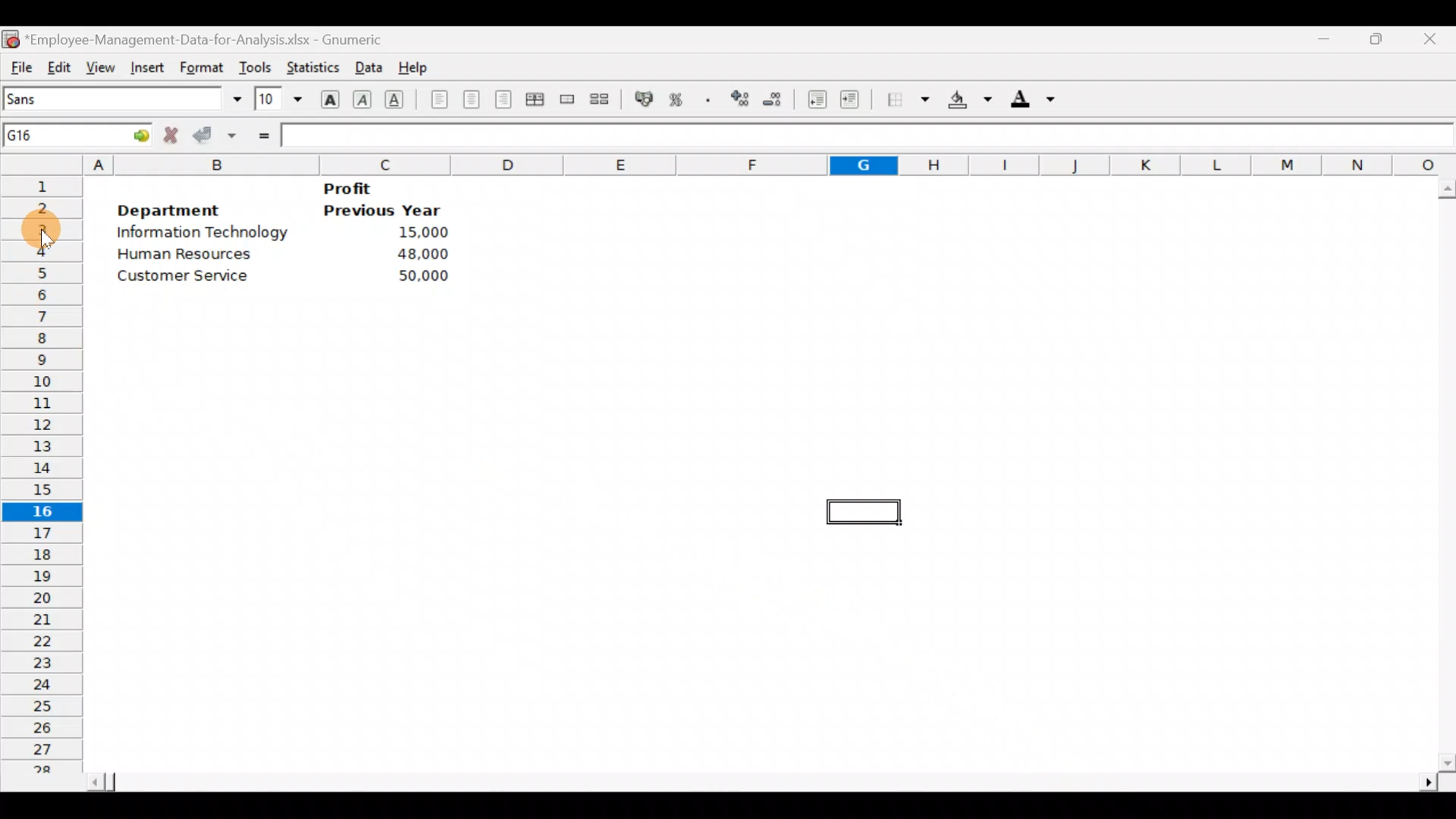 The width and height of the screenshot is (1456, 819). I want to click on Statistics, so click(311, 64).